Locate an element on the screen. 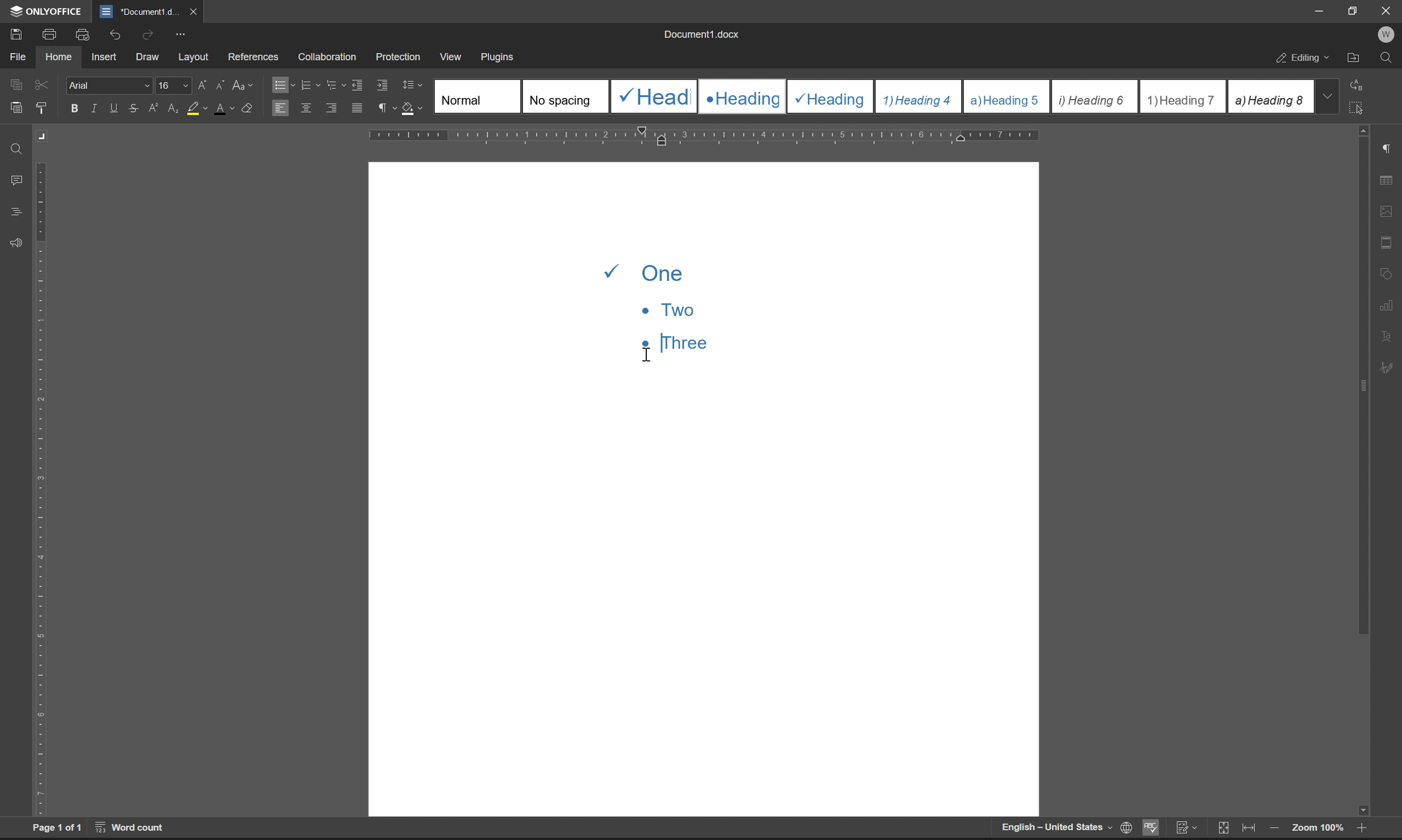  table settings is located at coordinates (1386, 181).